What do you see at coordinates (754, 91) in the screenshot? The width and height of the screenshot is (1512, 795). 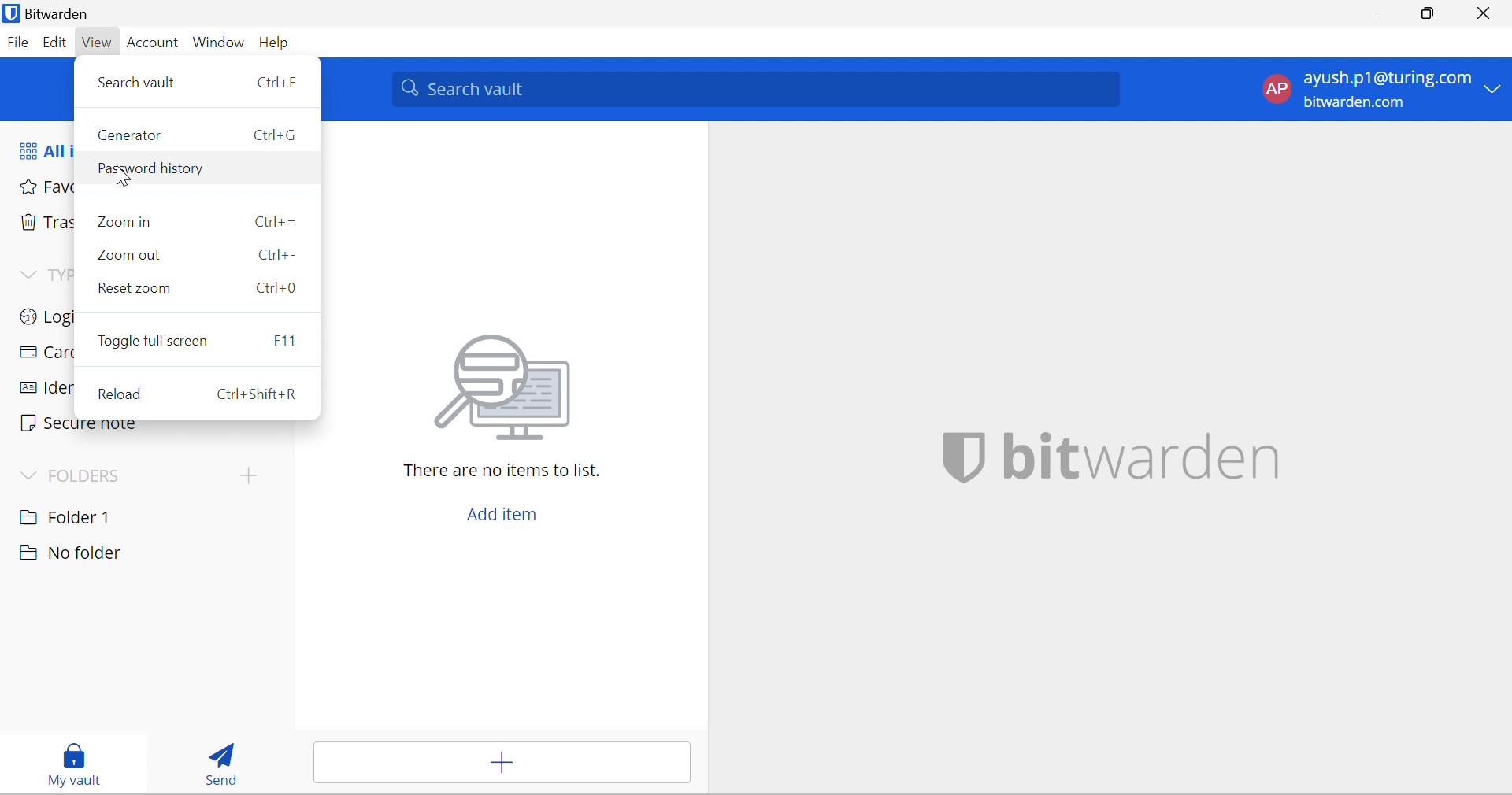 I see `Search vault` at bounding box center [754, 91].